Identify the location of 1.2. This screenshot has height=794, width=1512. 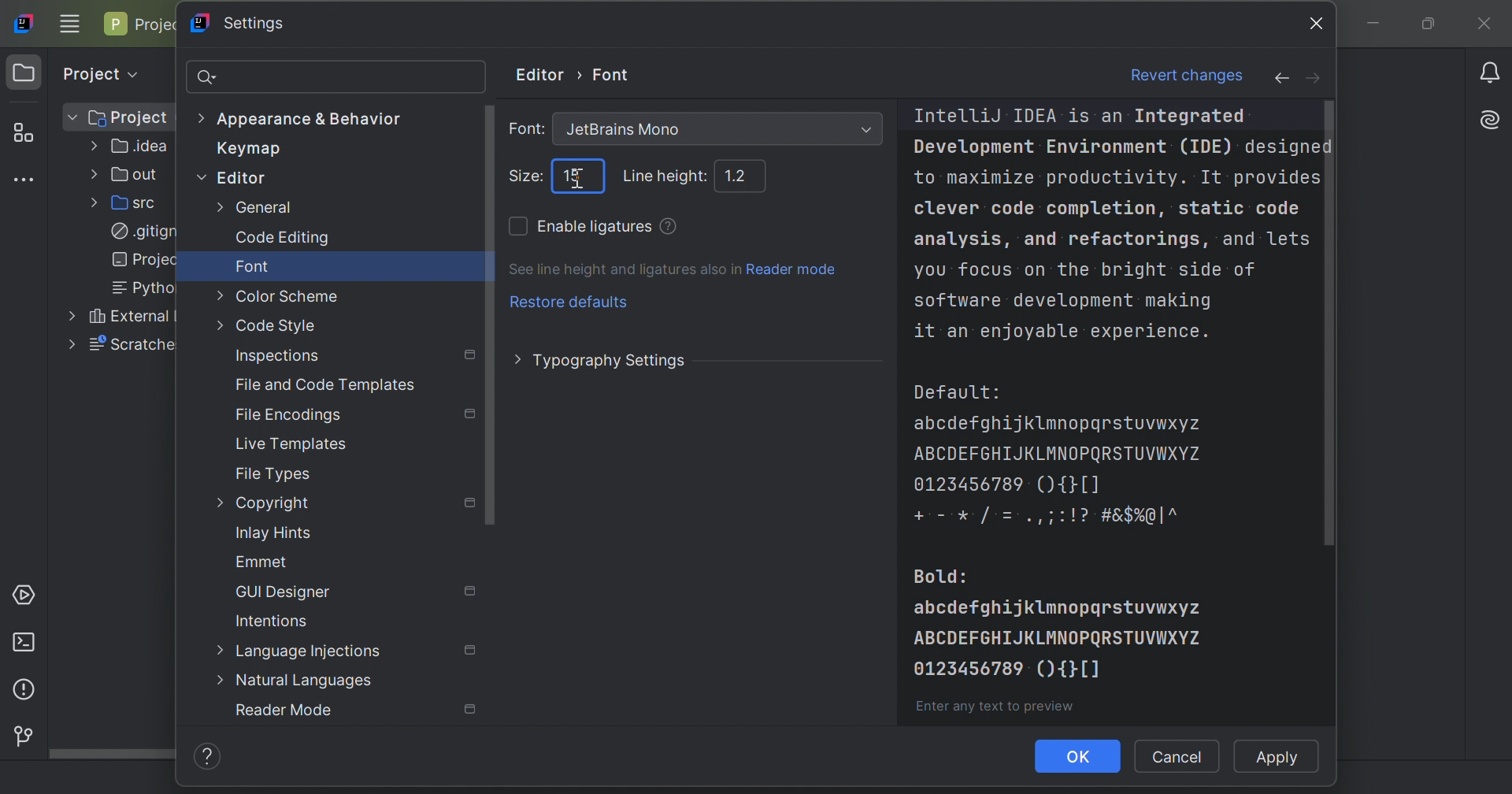
(737, 174).